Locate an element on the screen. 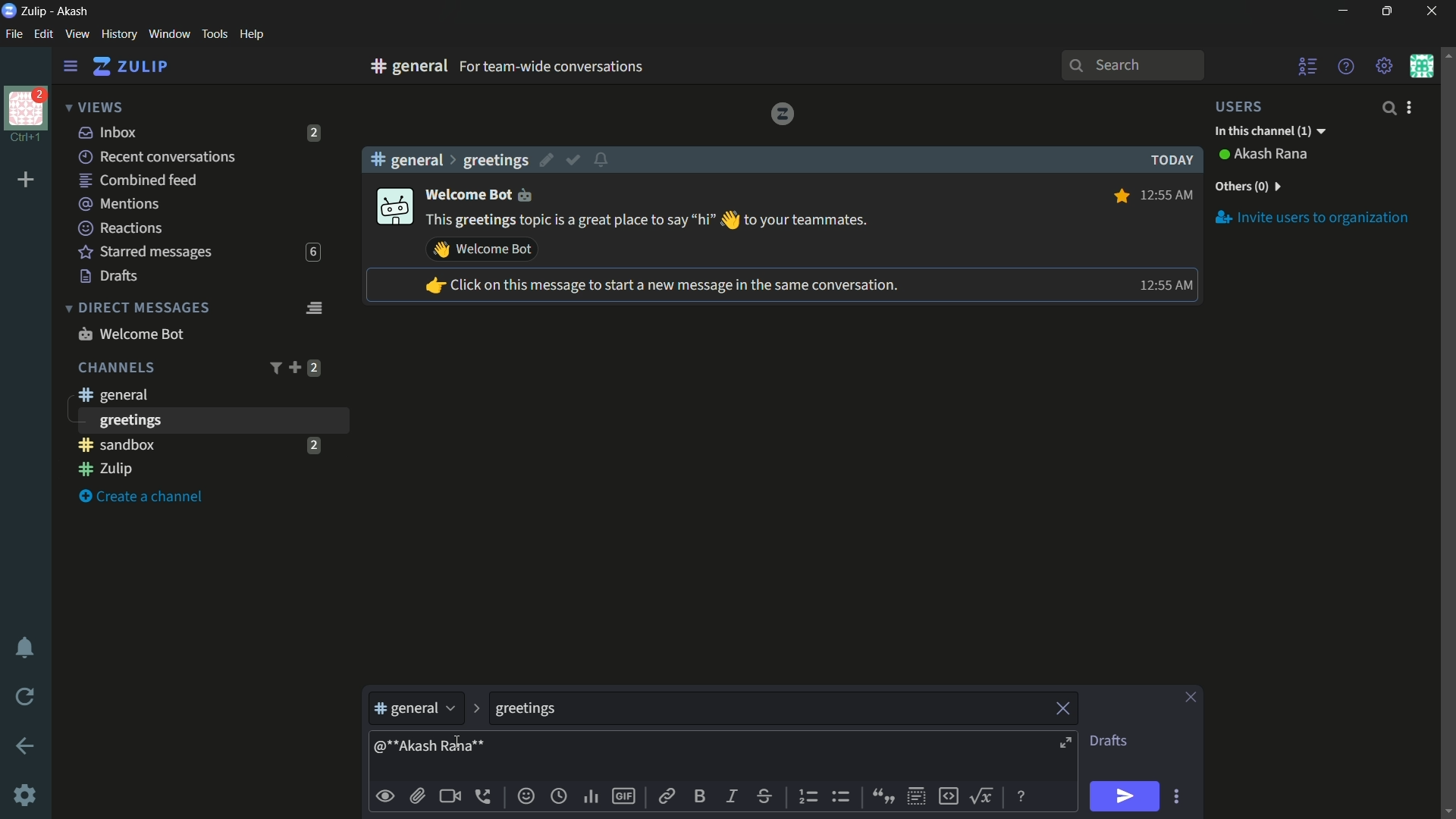 The height and width of the screenshot is (819, 1456). scroll up is located at coordinates (1447, 54).